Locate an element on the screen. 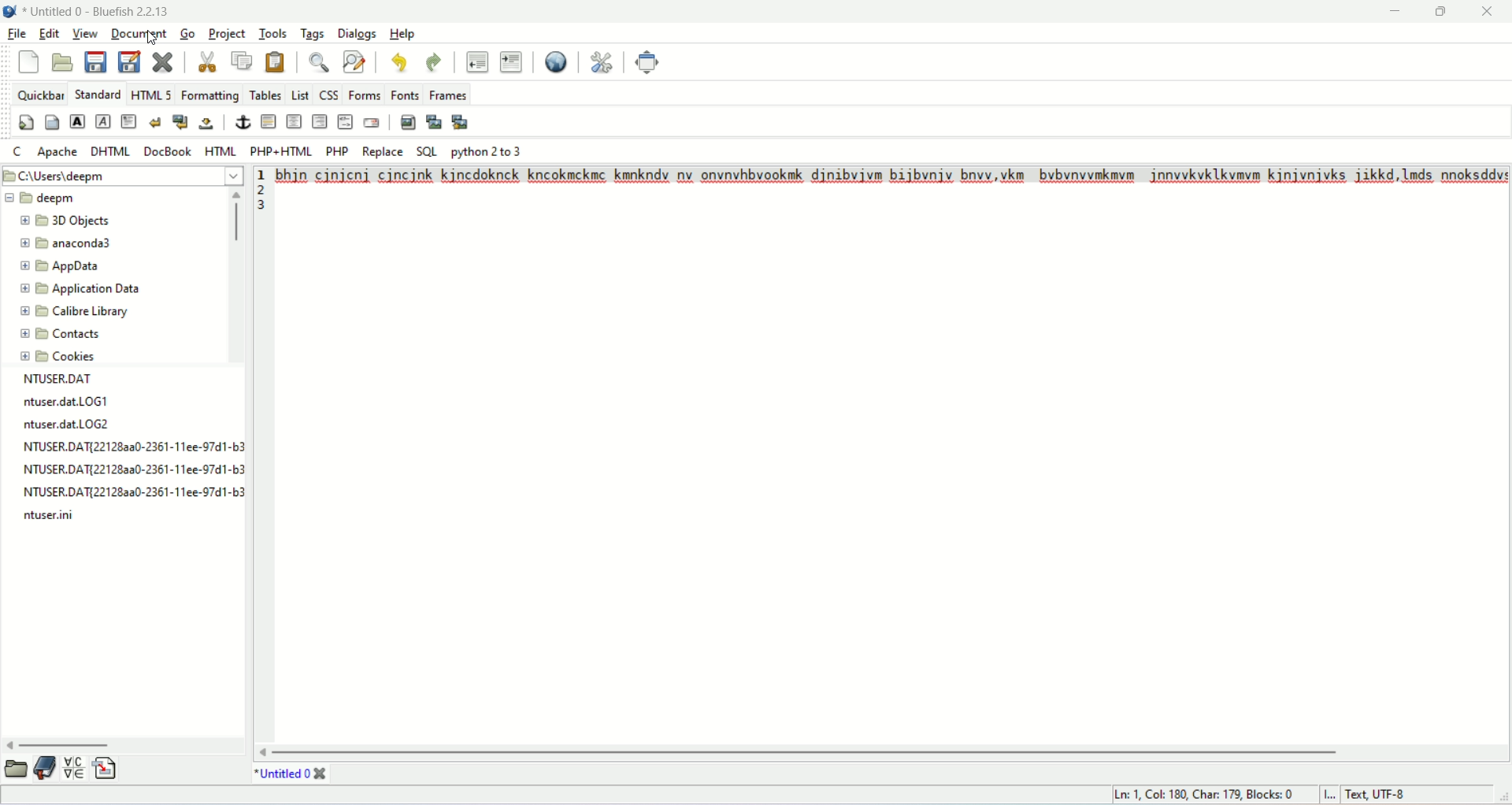 The height and width of the screenshot is (805, 1512). python 2 to 3 is located at coordinates (488, 151).